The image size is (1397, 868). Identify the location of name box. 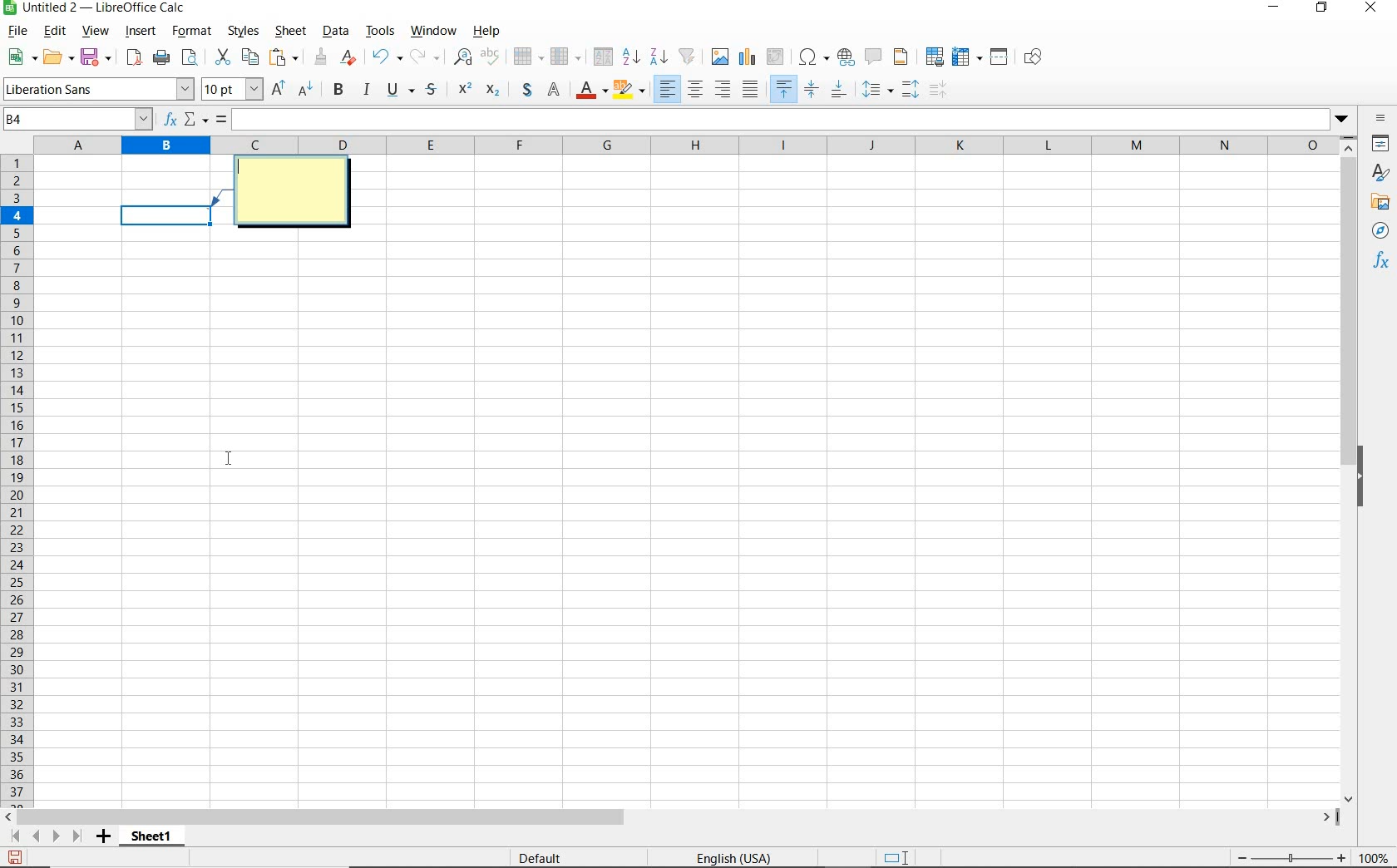
(78, 120).